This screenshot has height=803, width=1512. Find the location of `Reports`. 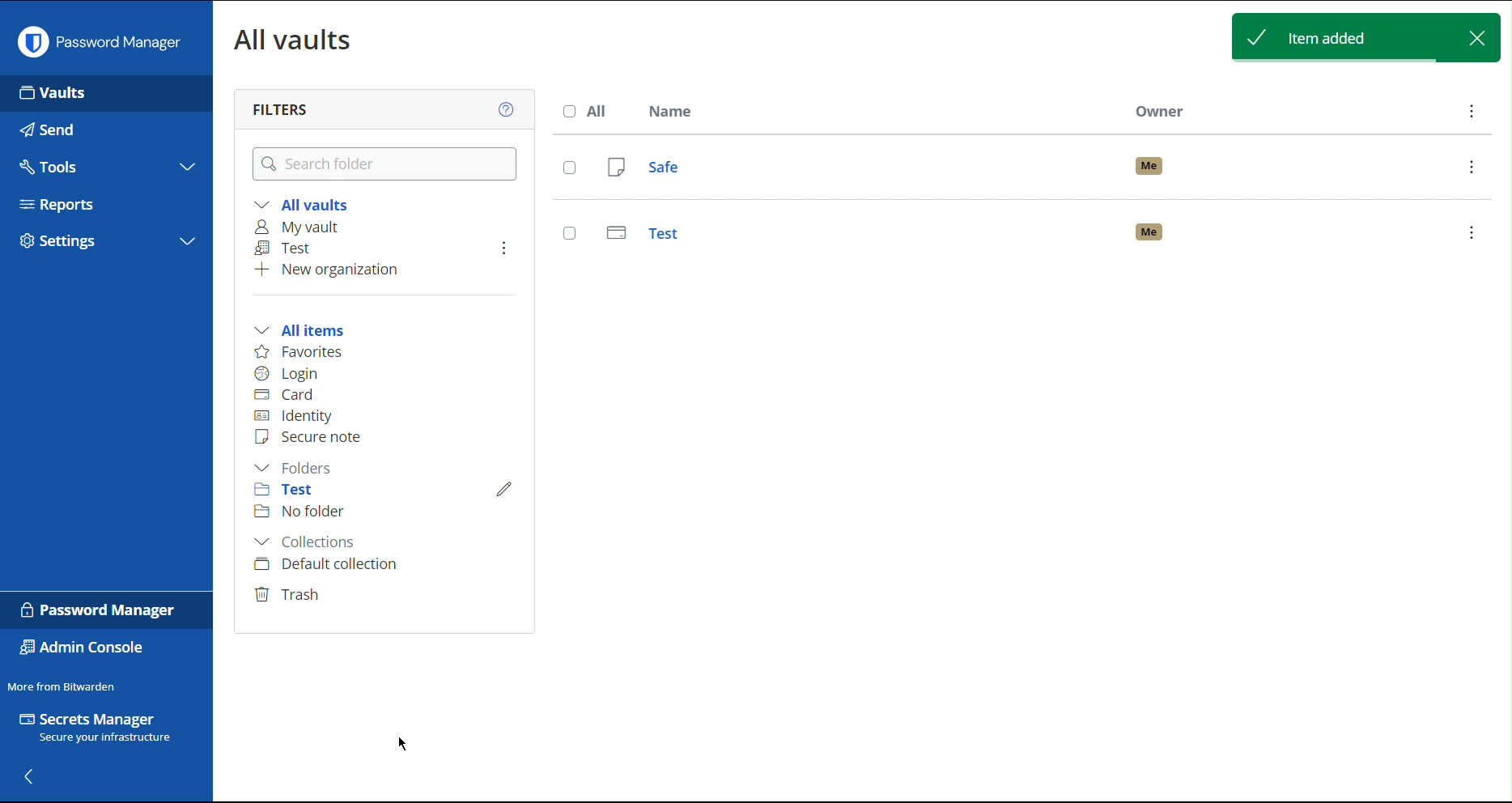

Reports is located at coordinates (63, 202).